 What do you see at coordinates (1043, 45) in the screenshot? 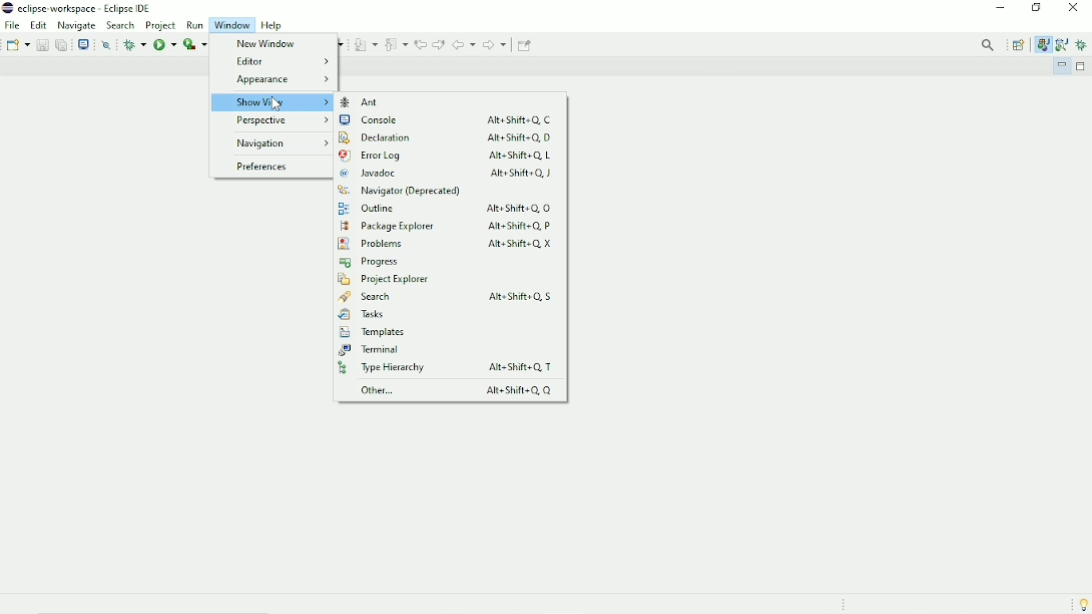
I see `Java` at bounding box center [1043, 45].